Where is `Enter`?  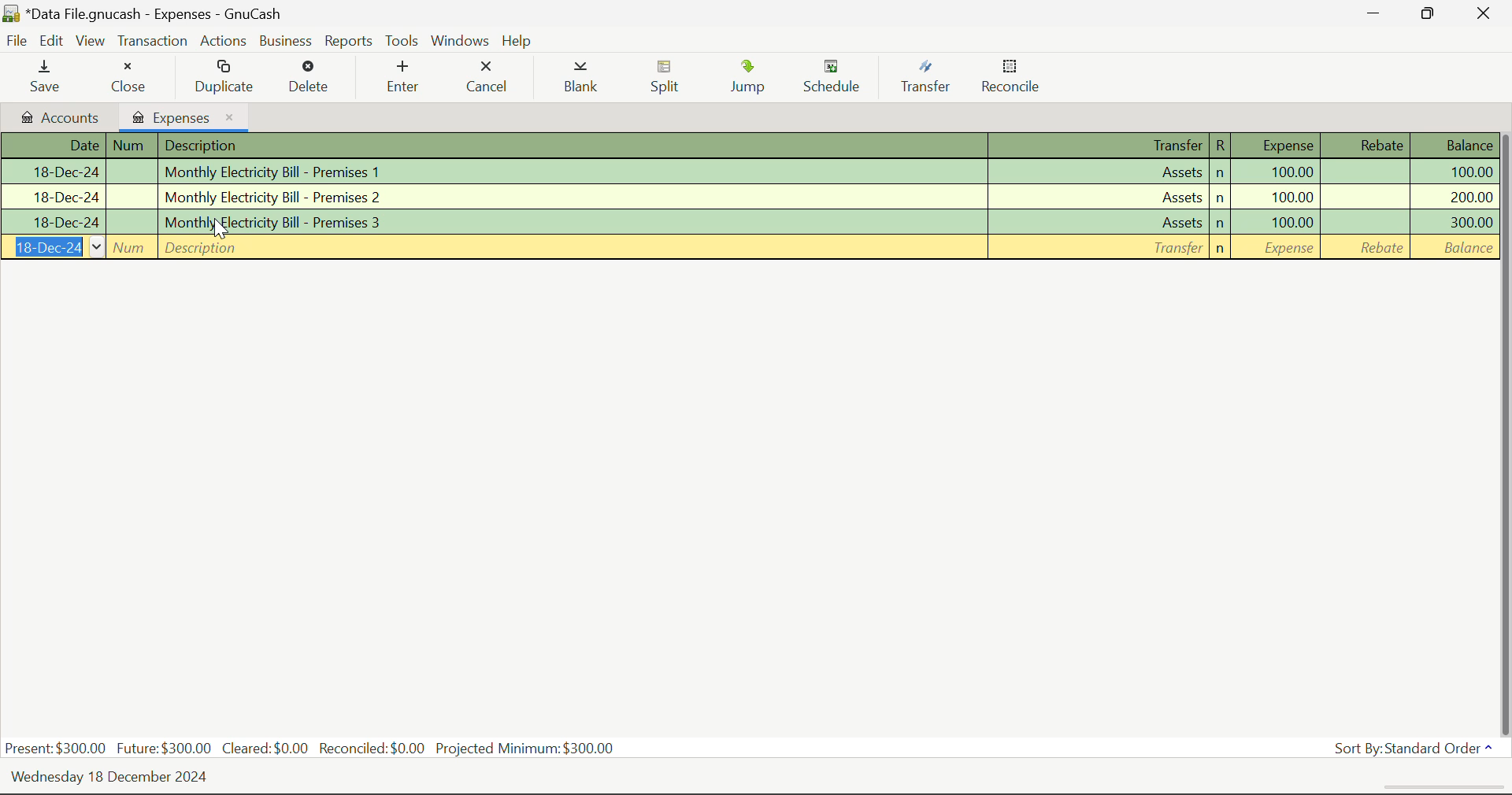 Enter is located at coordinates (402, 77).